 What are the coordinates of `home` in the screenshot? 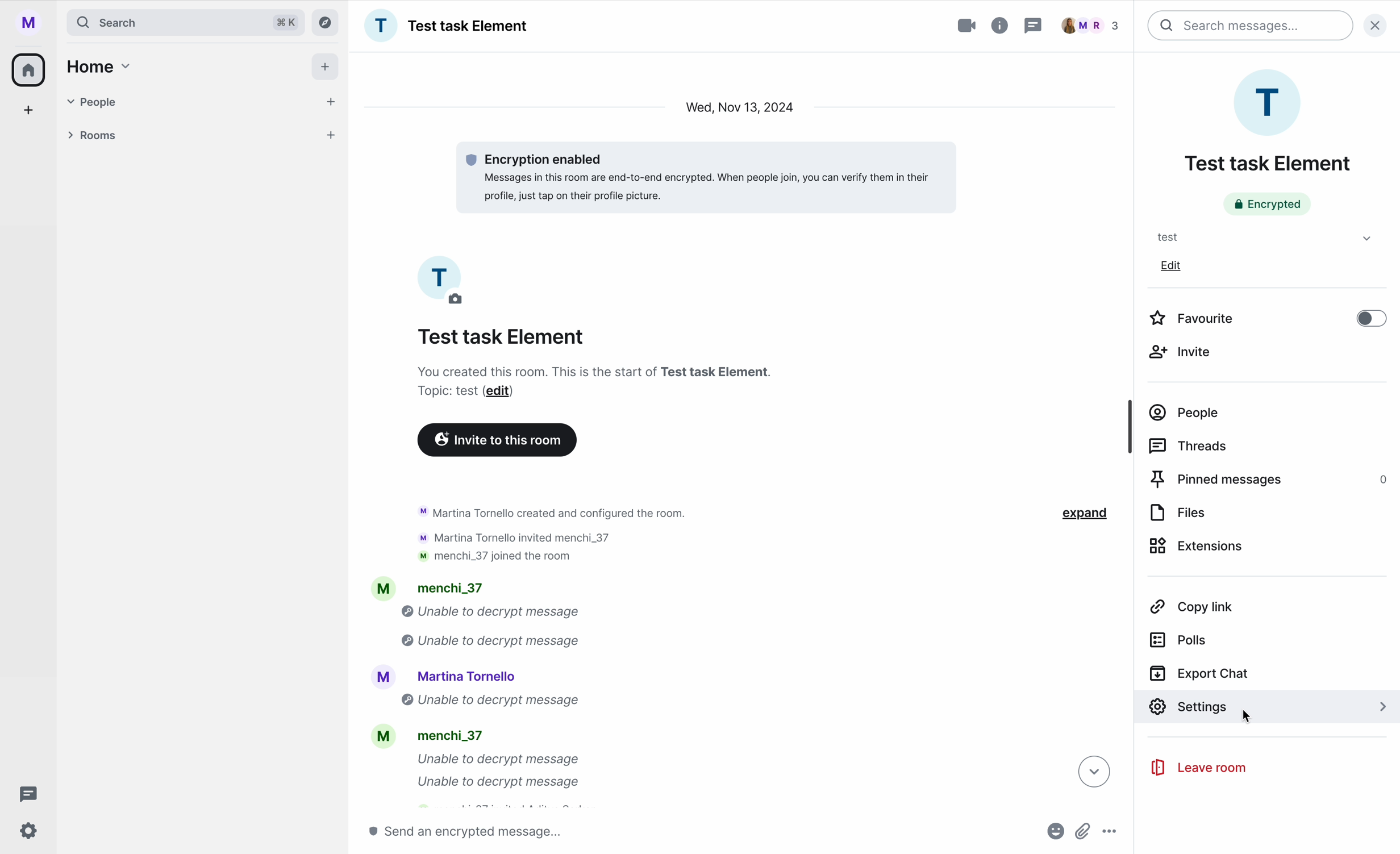 It's located at (101, 66).